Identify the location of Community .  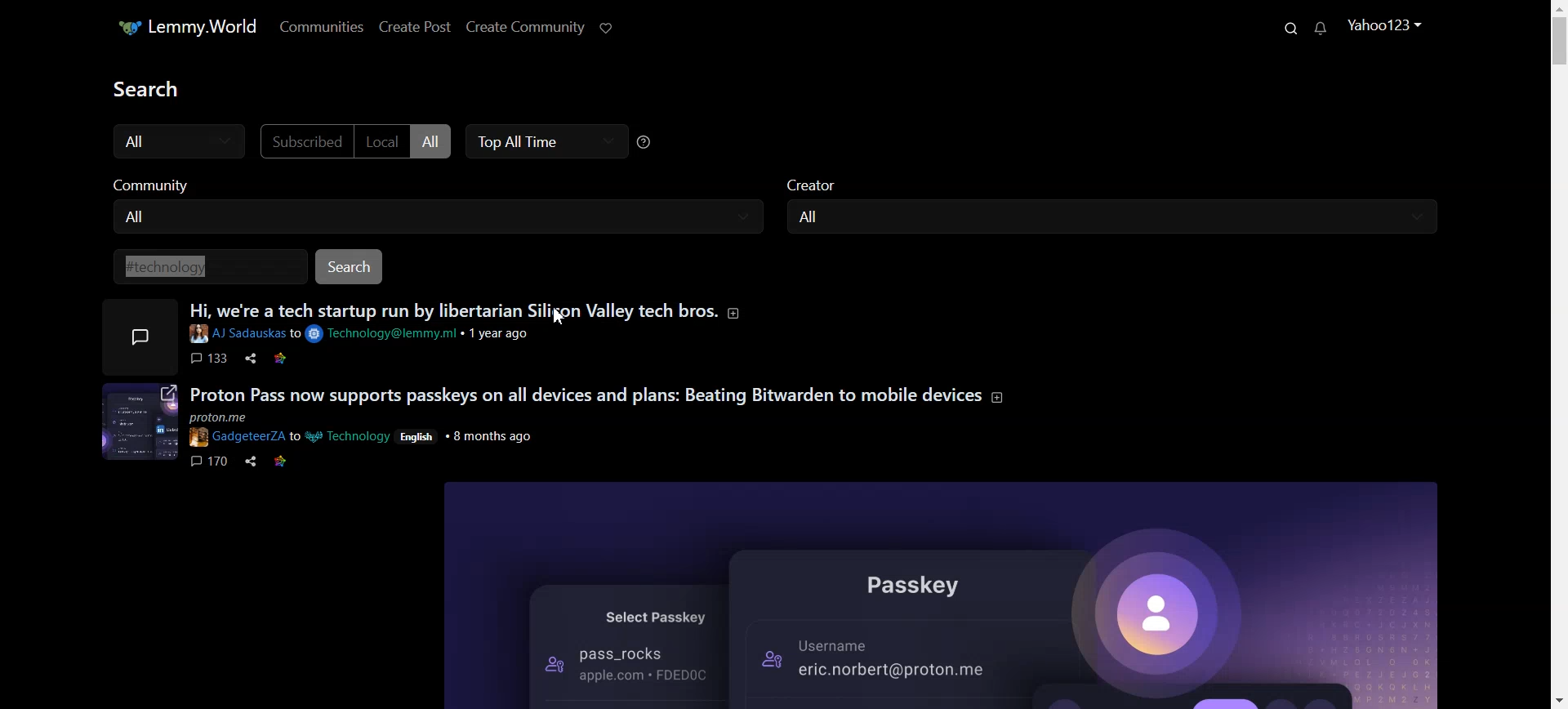
(436, 184).